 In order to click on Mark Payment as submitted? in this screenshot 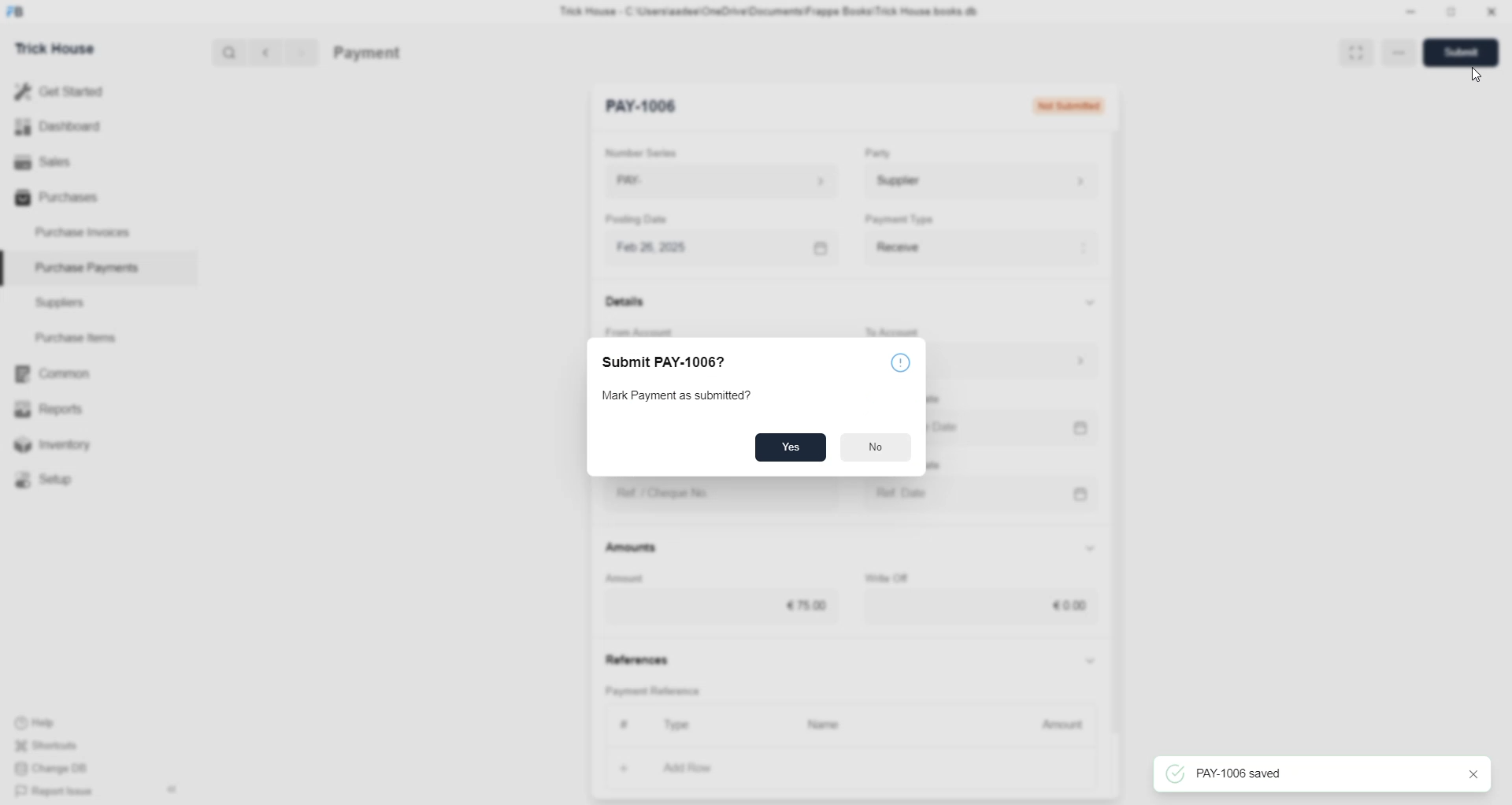, I will do `click(681, 396)`.